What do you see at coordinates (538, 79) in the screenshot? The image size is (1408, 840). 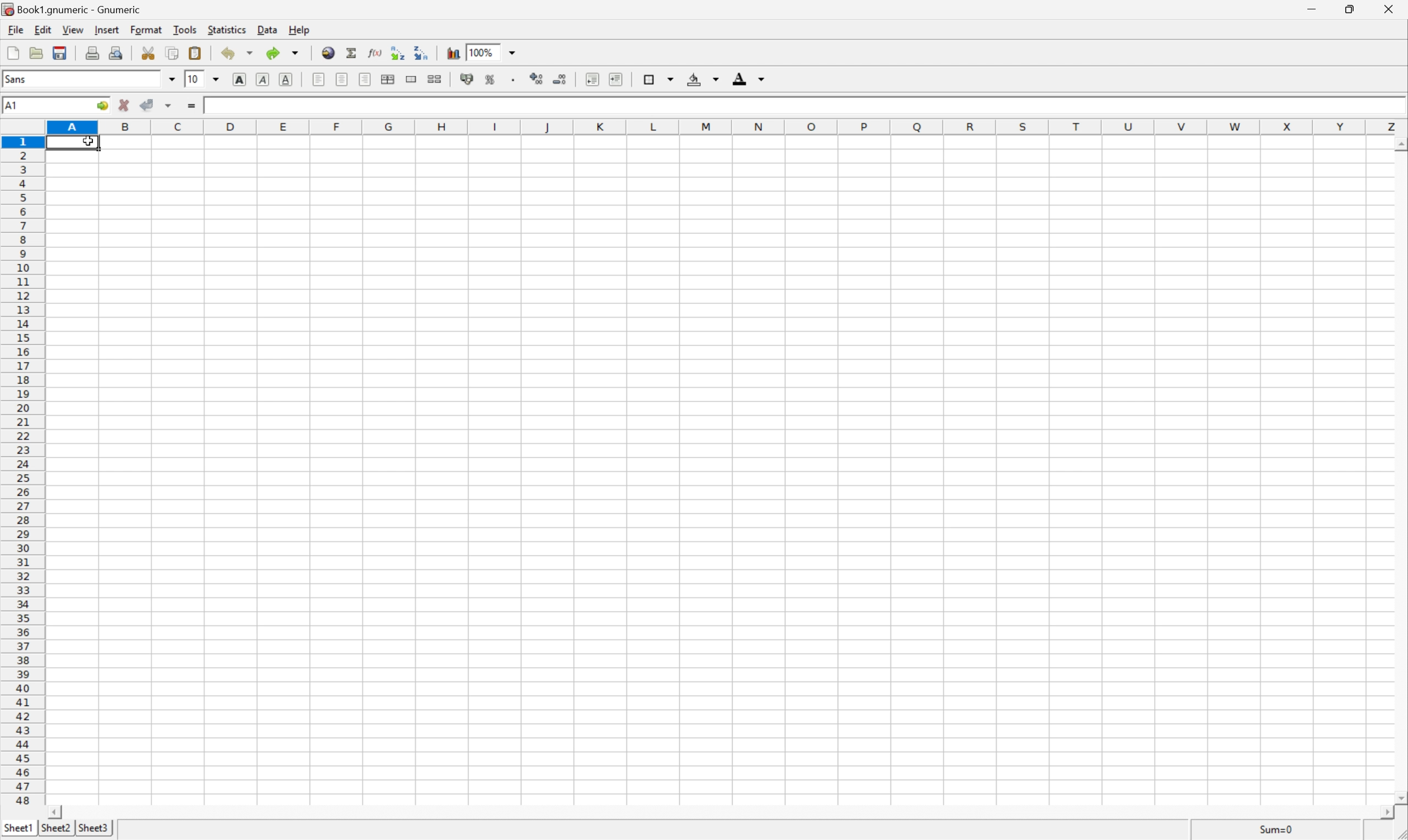 I see `increase number of decimals displayed` at bounding box center [538, 79].